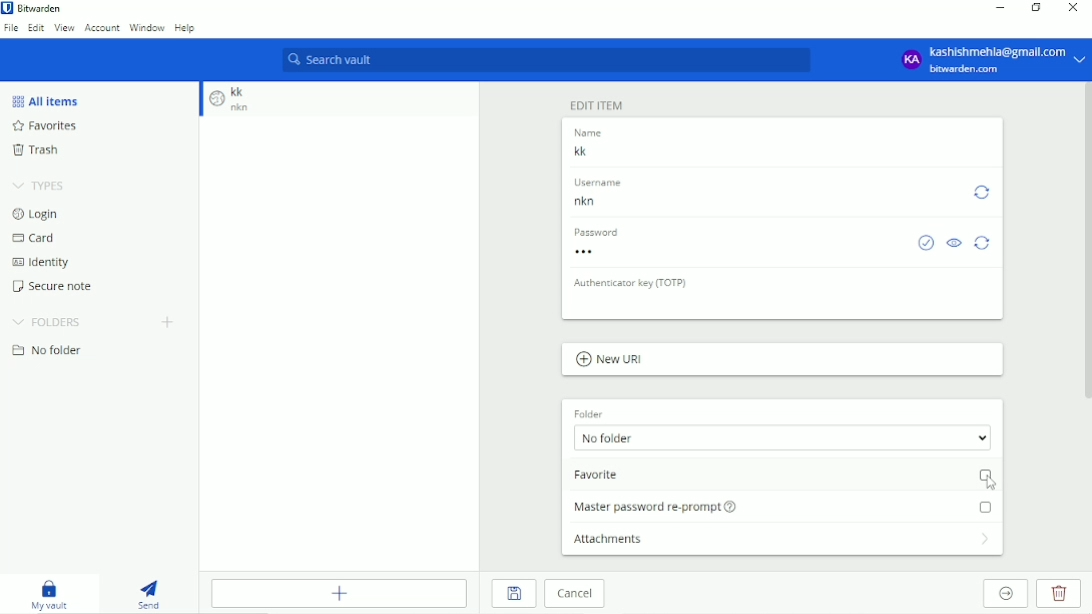  What do you see at coordinates (50, 349) in the screenshot?
I see `No folder` at bounding box center [50, 349].